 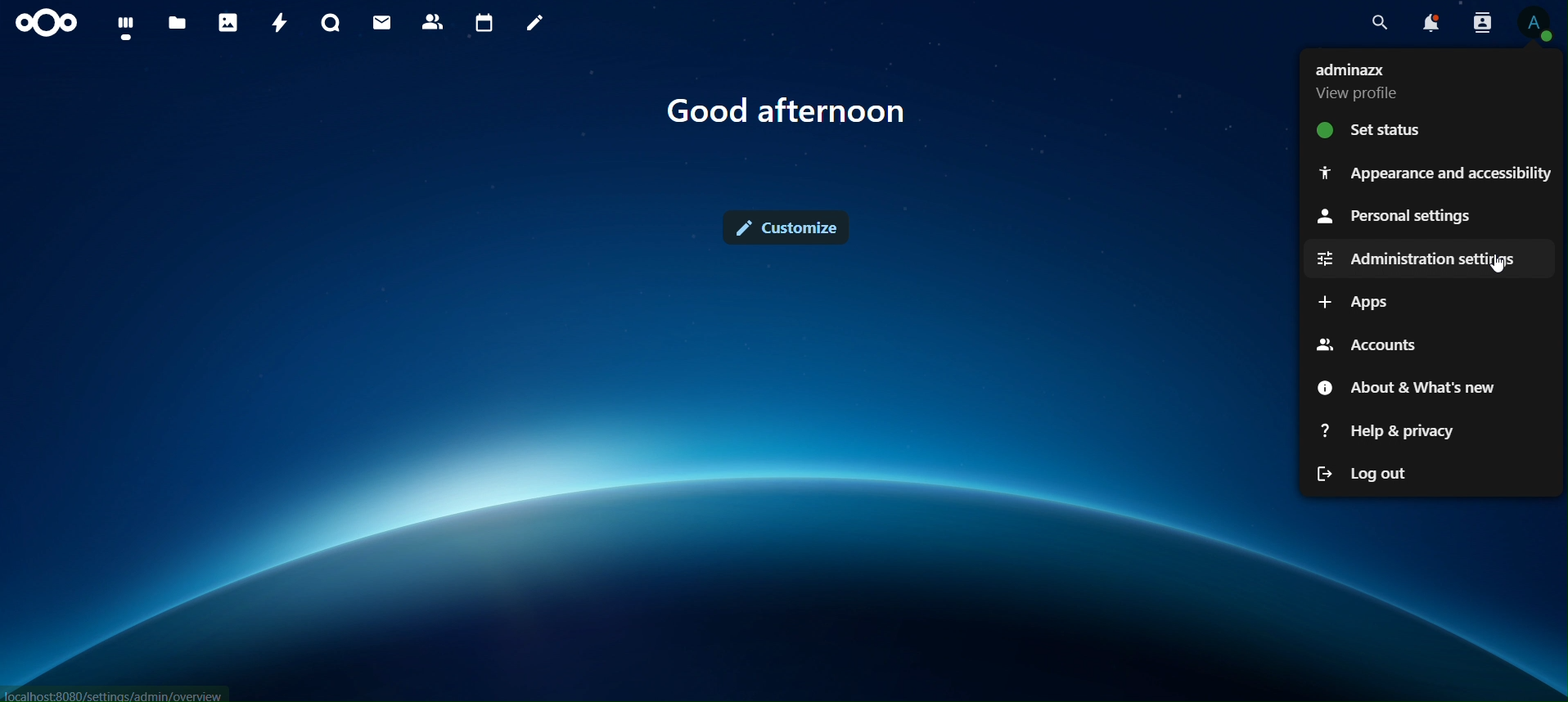 What do you see at coordinates (1389, 428) in the screenshot?
I see `help & privacy` at bounding box center [1389, 428].